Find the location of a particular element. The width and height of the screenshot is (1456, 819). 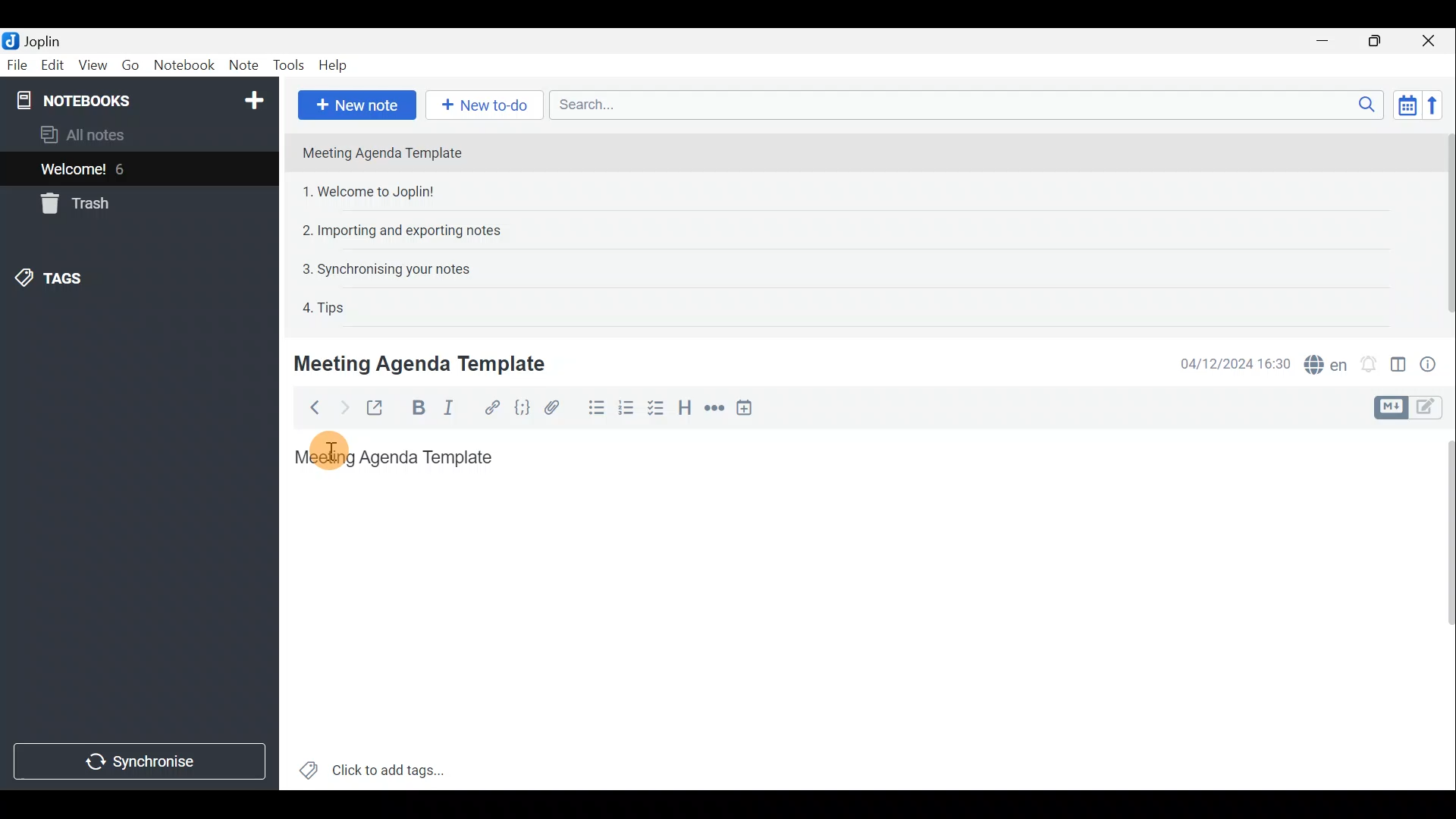

View is located at coordinates (89, 67).